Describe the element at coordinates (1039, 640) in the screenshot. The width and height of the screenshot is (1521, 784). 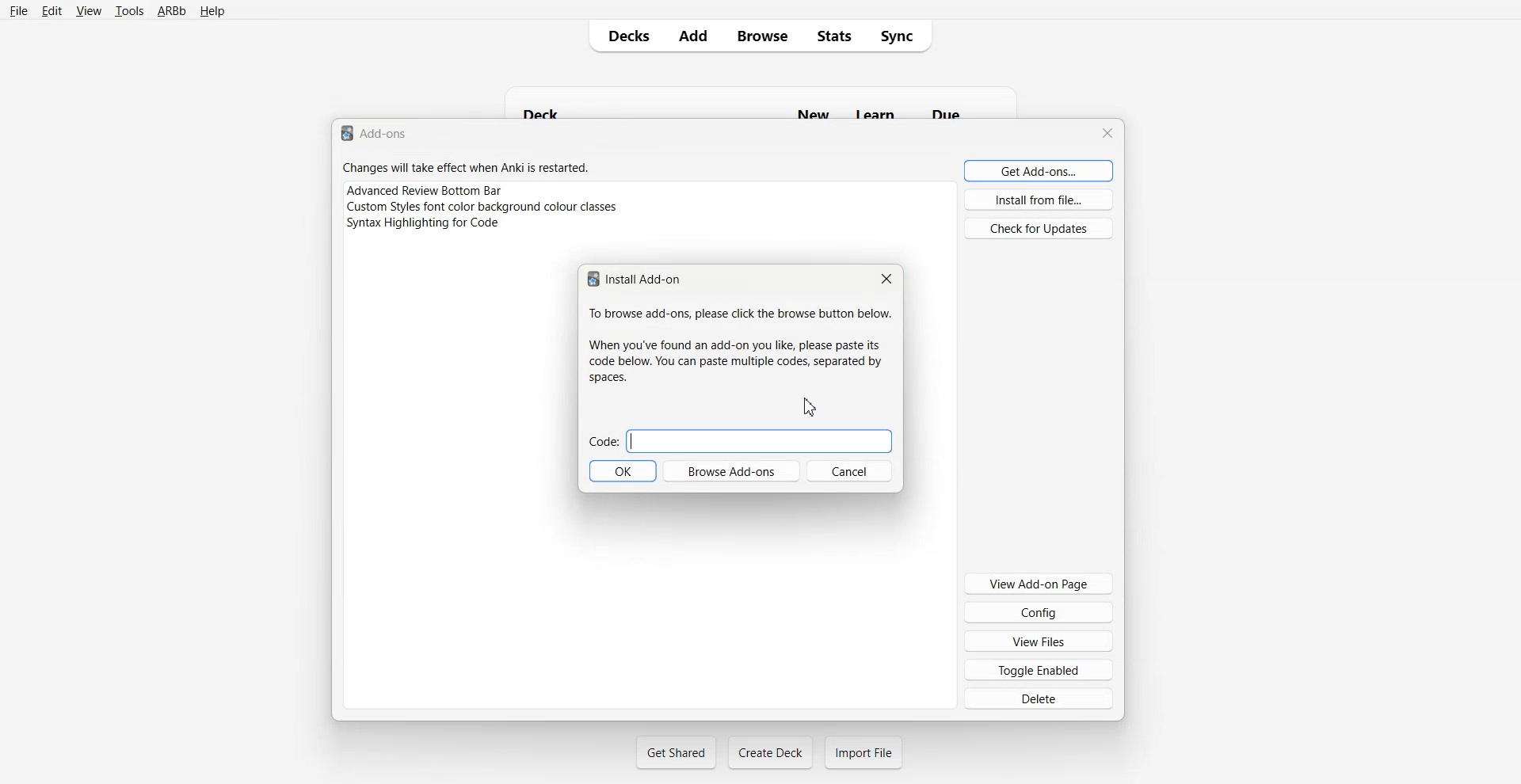
I see `View Files` at that location.